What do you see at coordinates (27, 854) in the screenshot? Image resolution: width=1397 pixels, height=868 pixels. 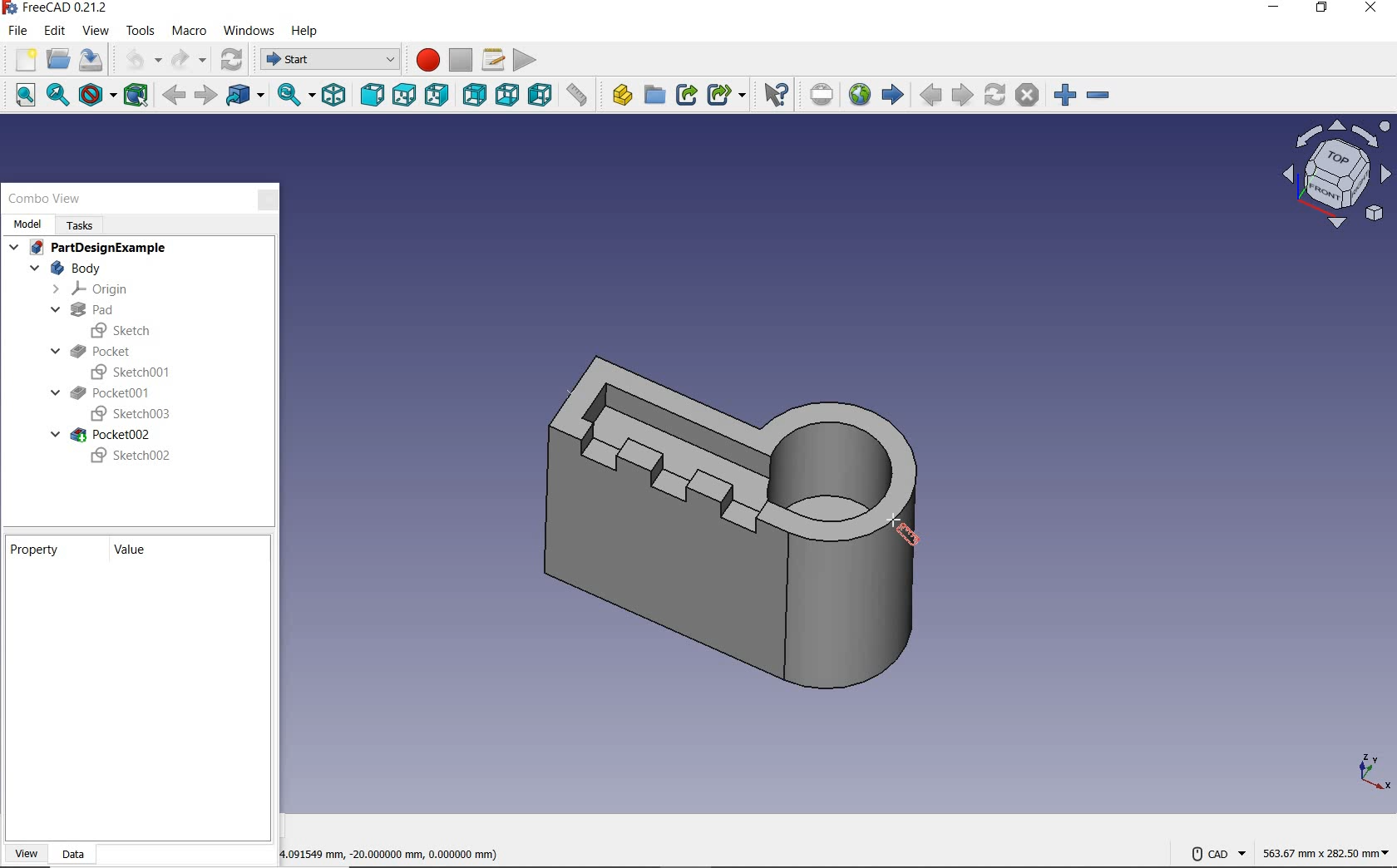 I see `VIEW` at bounding box center [27, 854].